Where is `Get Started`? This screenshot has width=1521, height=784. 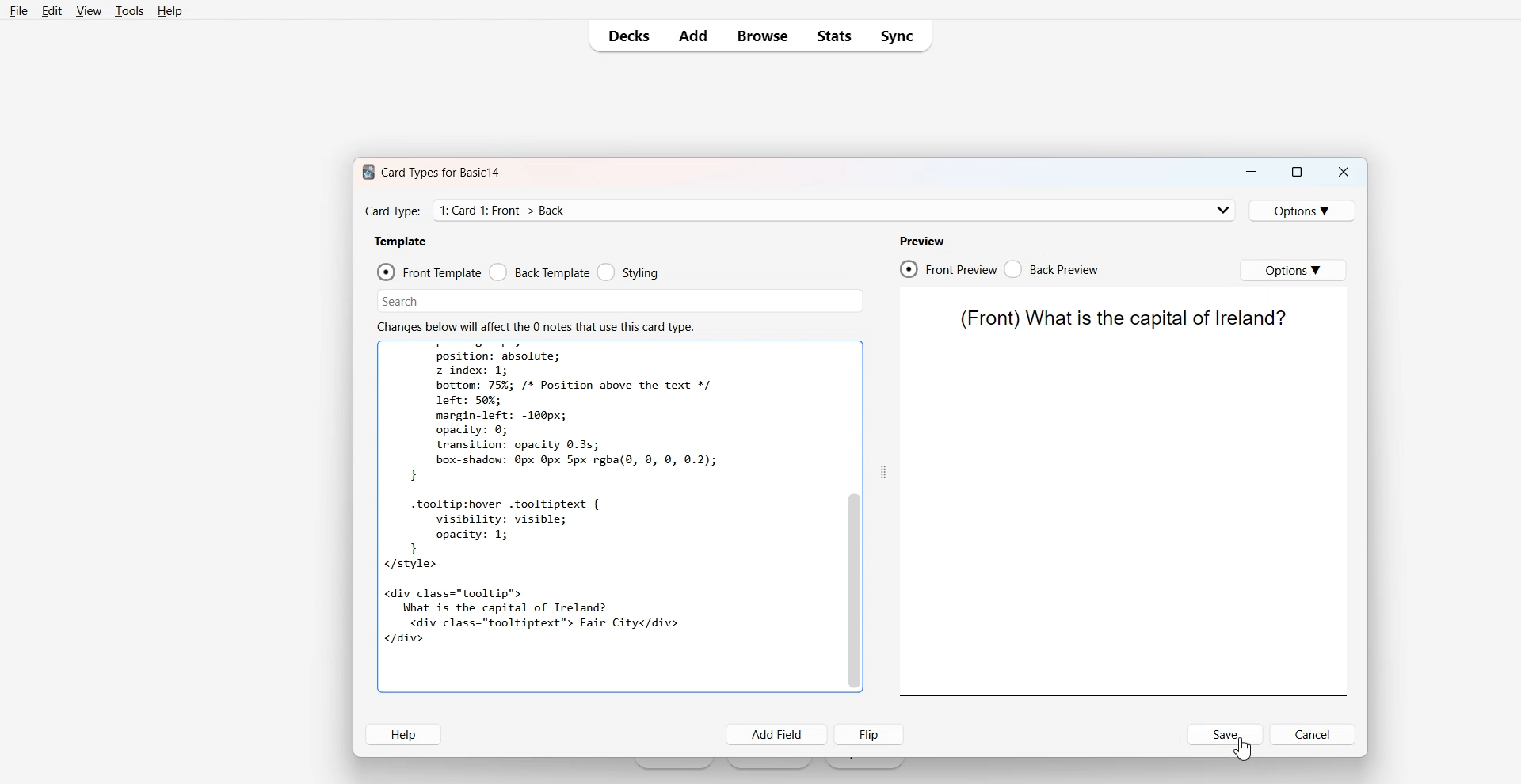
Get Started is located at coordinates (675, 764).